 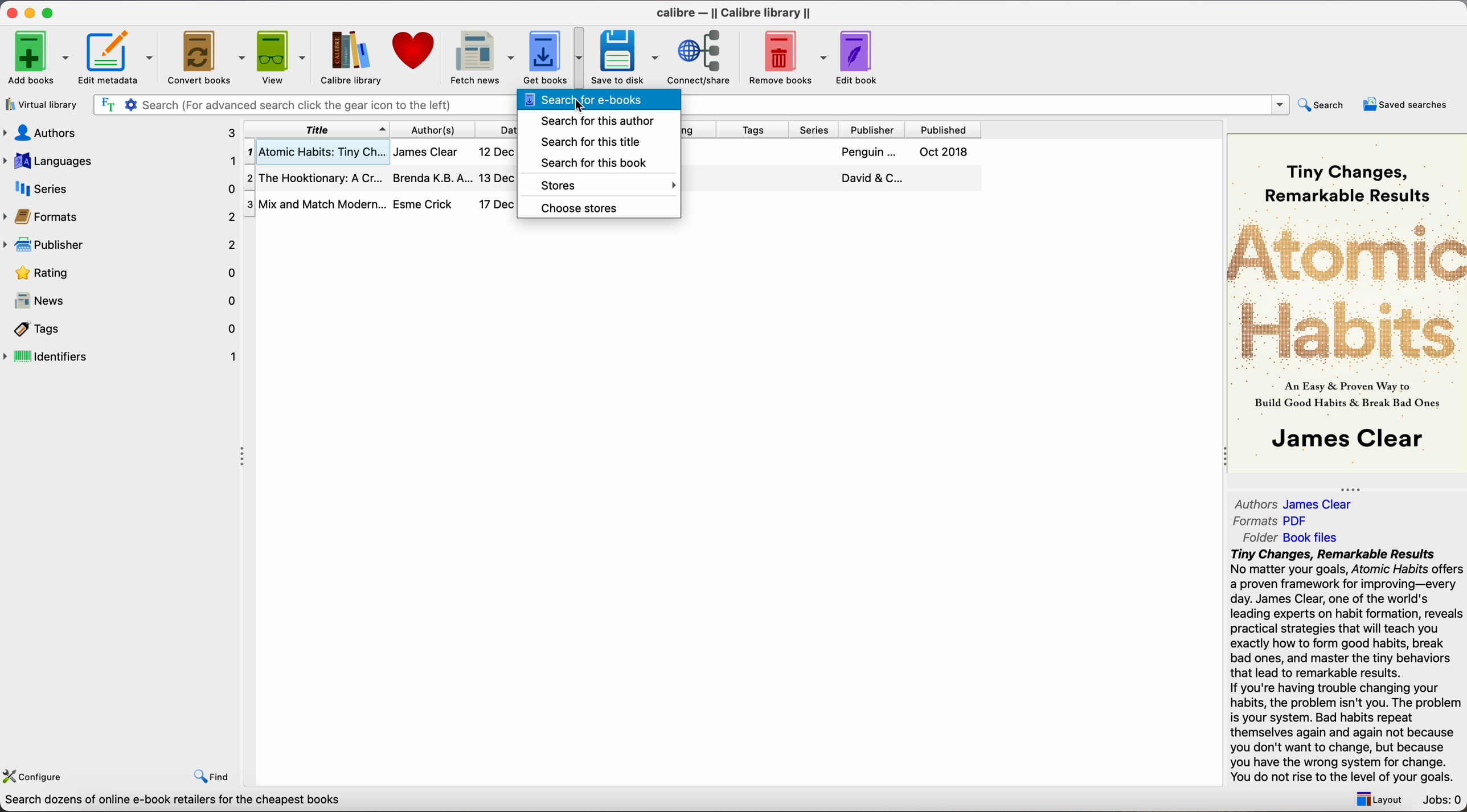 I want to click on donate, so click(x=415, y=51).